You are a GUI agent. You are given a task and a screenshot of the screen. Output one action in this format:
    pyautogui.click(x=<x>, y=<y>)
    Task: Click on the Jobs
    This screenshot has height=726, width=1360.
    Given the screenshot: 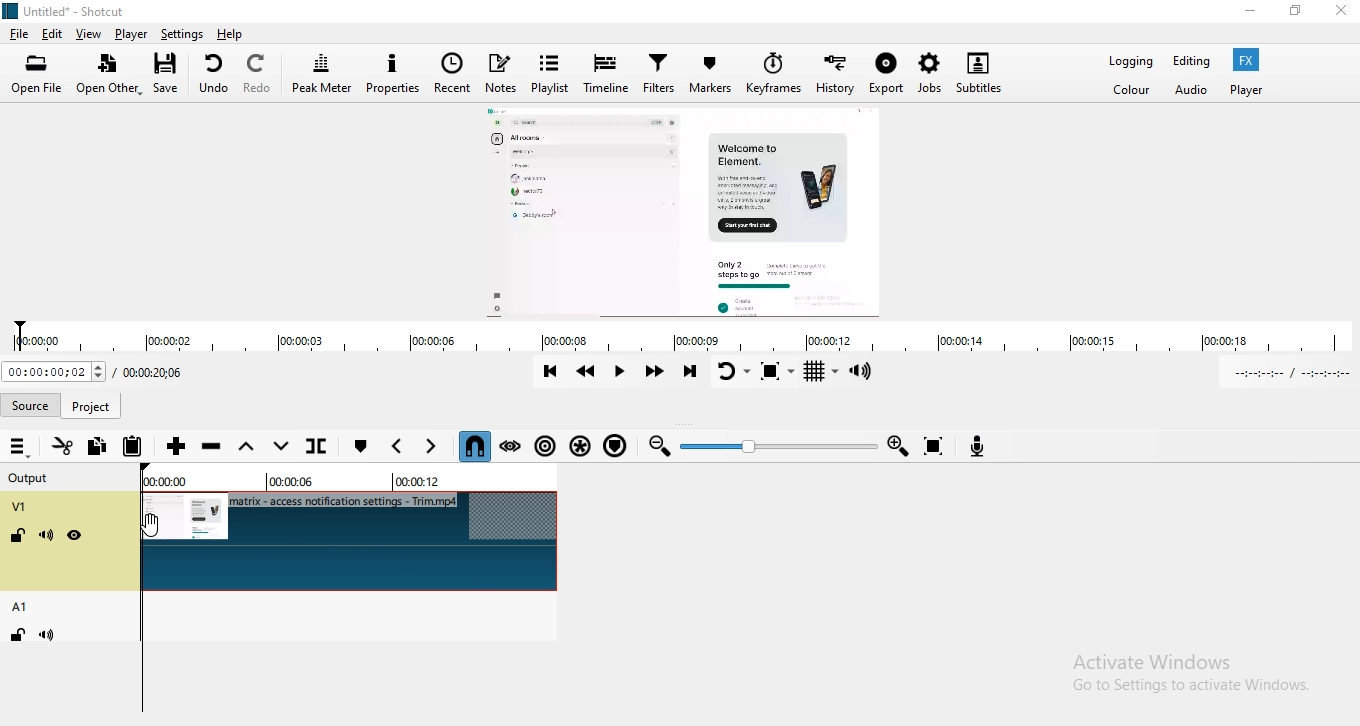 What is the action you would take?
    pyautogui.click(x=929, y=75)
    